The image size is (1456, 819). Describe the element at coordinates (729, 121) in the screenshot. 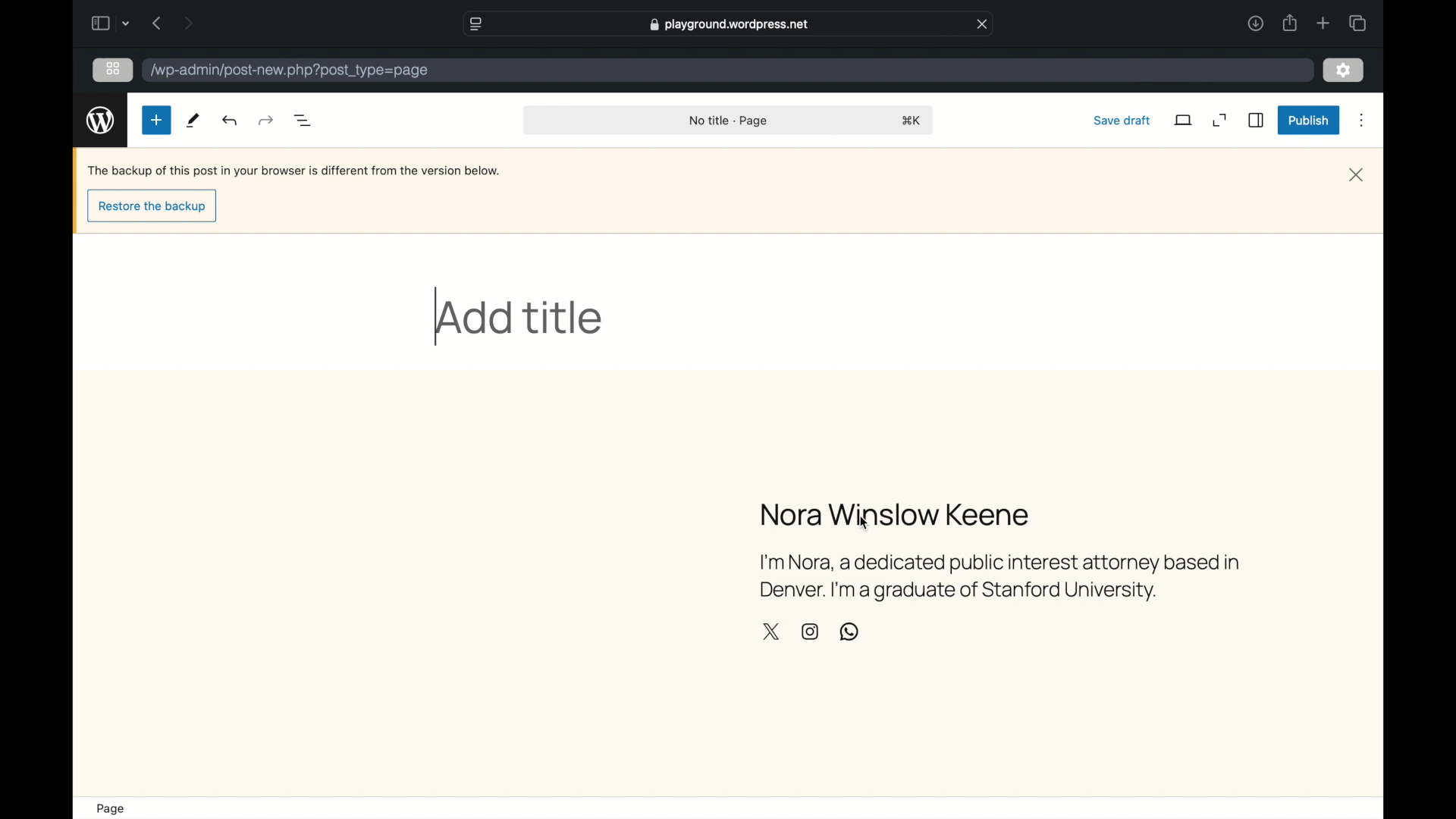

I see `no title - page` at that location.